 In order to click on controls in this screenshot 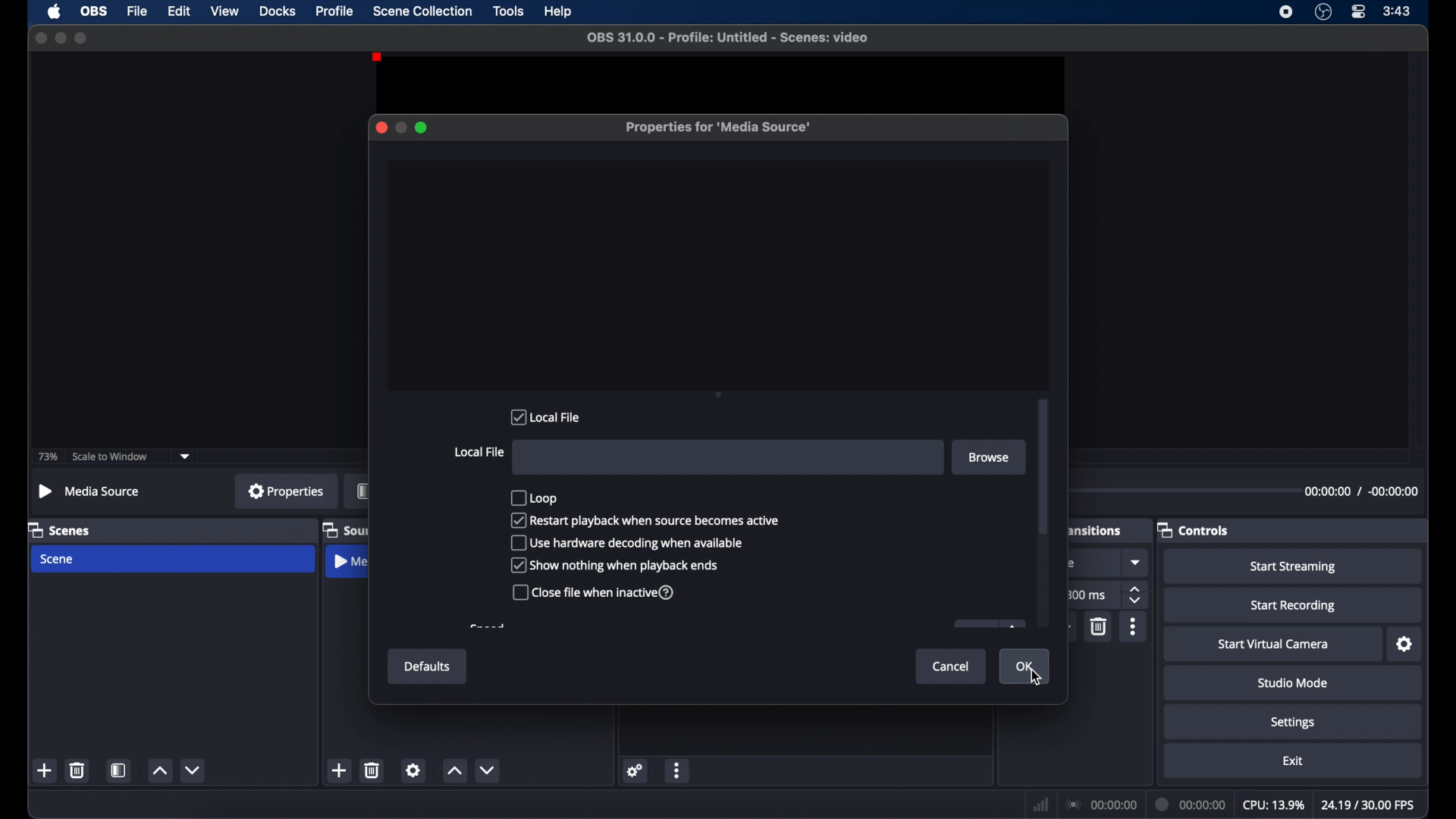, I will do `click(1193, 530)`.